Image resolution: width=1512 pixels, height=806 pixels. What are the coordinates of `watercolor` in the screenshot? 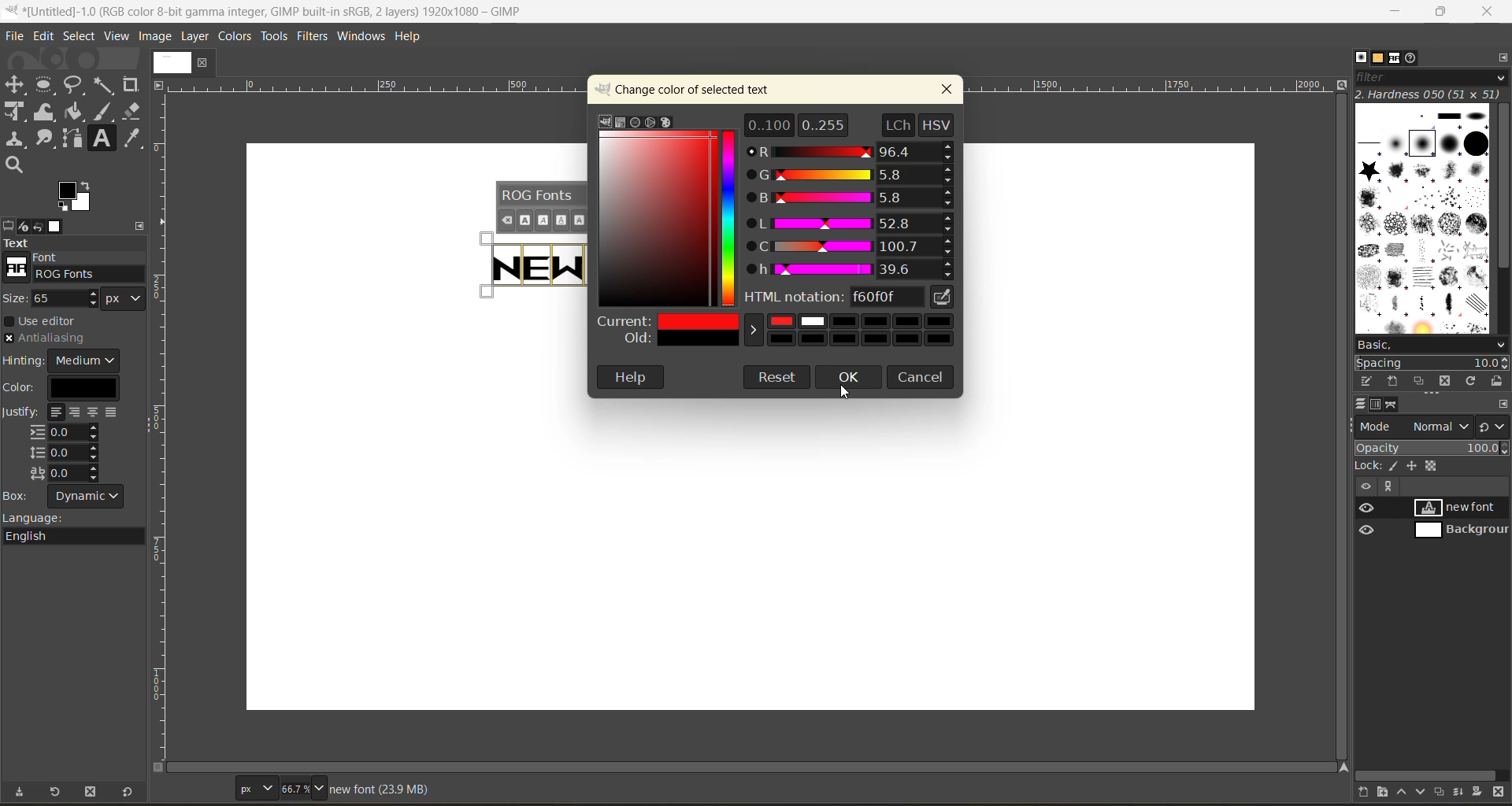 It's located at (636, 121).